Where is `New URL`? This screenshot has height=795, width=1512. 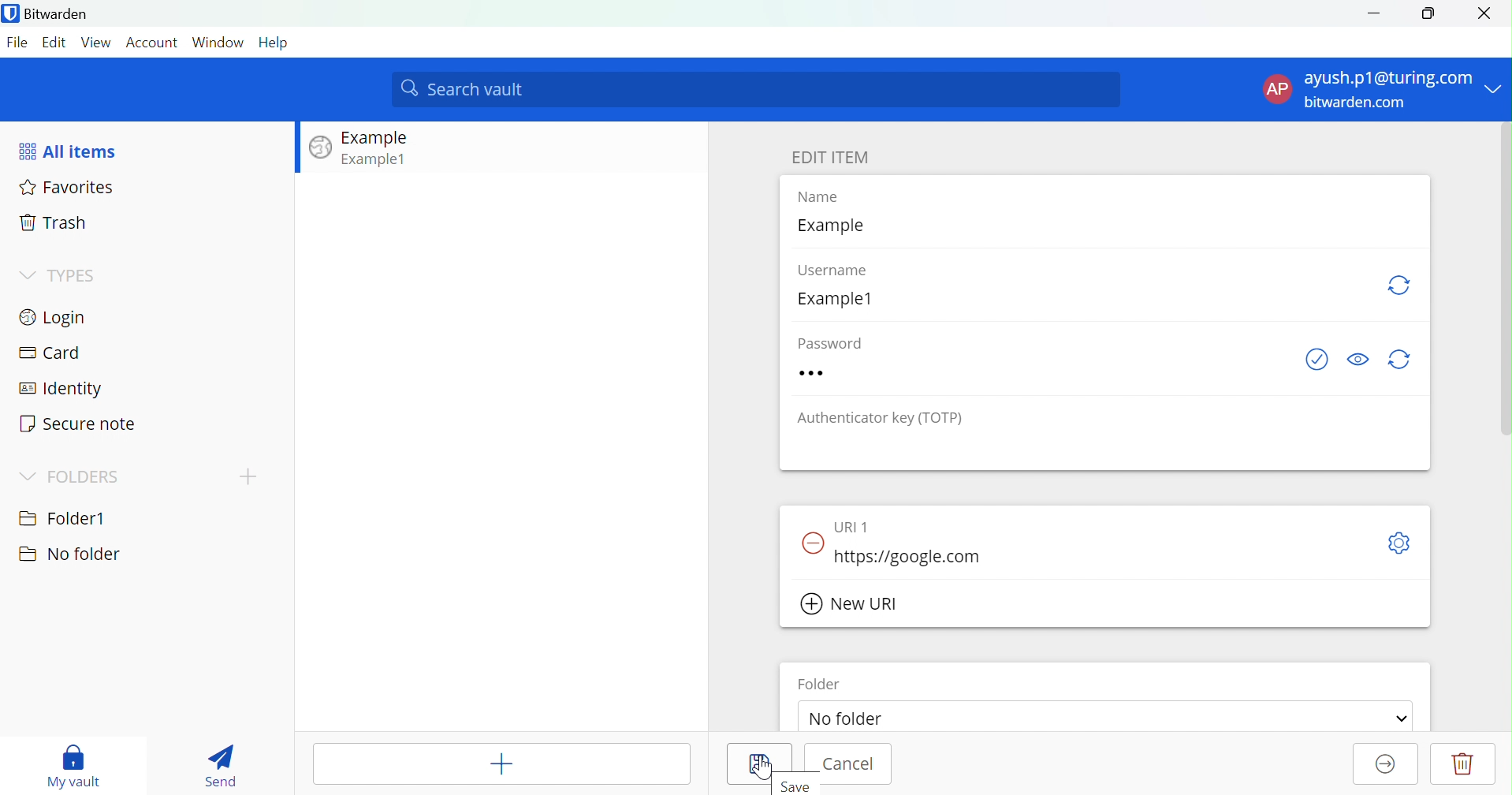 New URL is located at coordinates (851, 604).